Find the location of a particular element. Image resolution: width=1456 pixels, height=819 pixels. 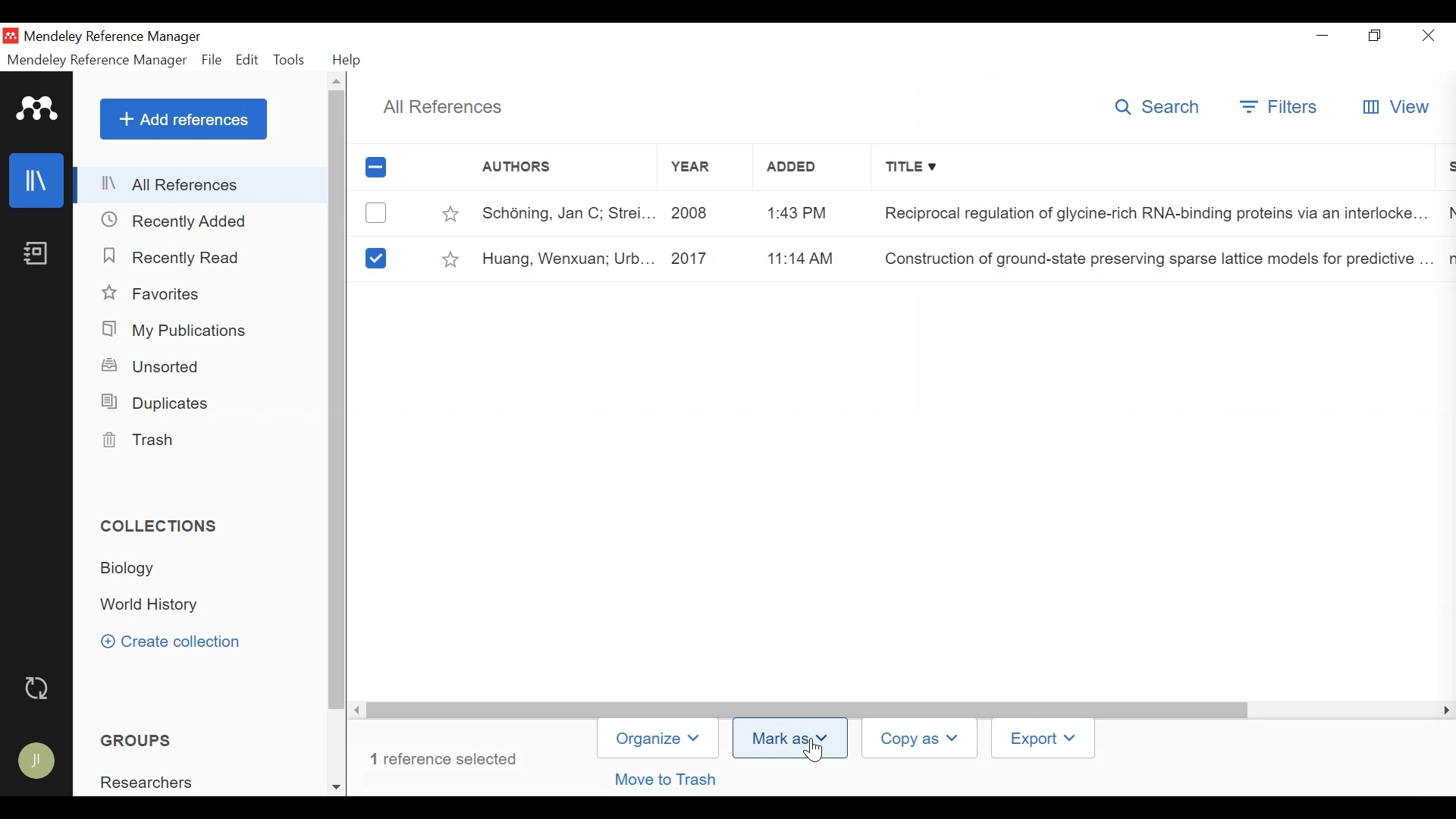

Favorites is located at coordinates (156, 293).